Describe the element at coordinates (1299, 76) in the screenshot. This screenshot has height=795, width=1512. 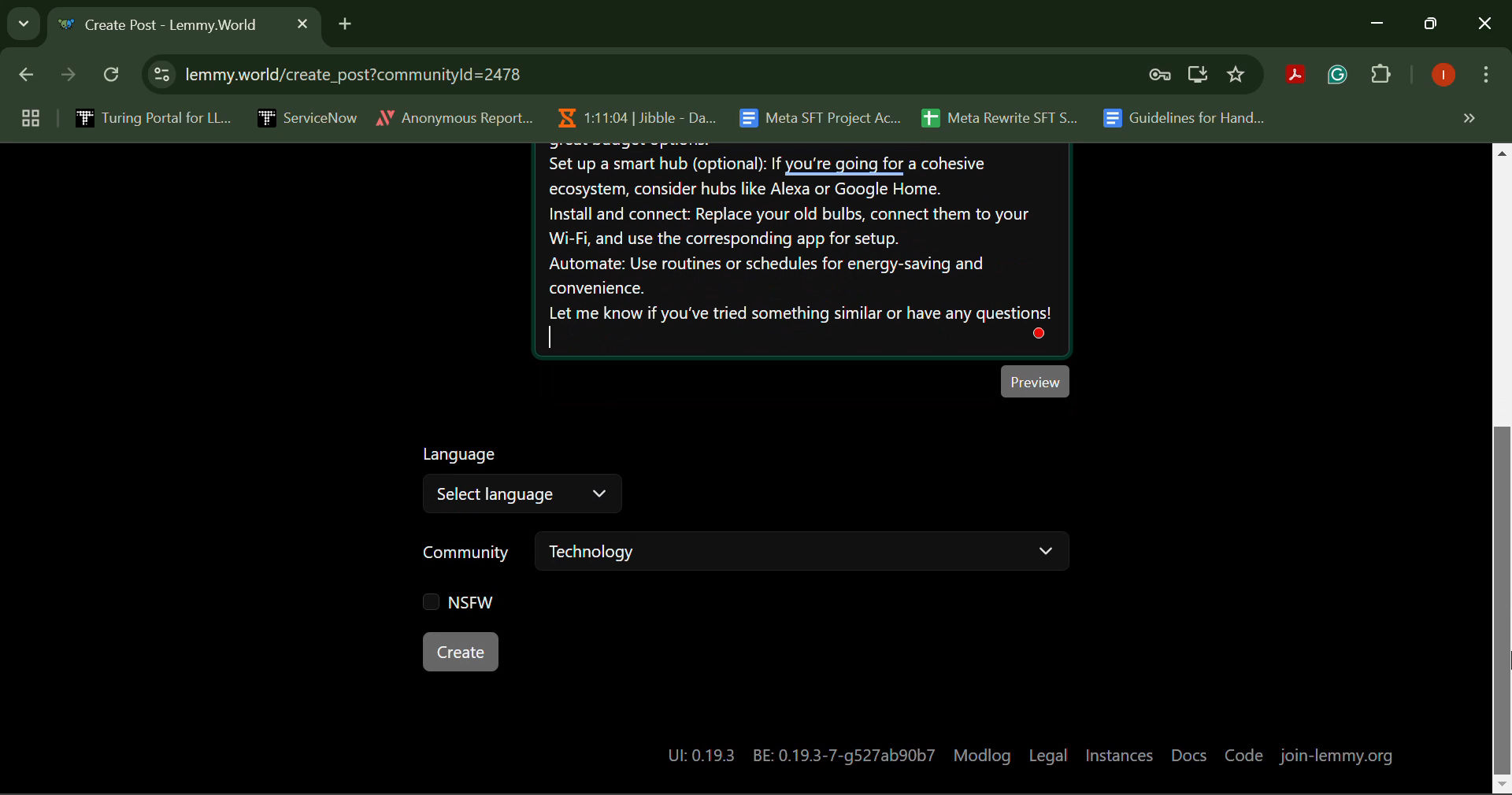
I see `Browser Extension` at that location.